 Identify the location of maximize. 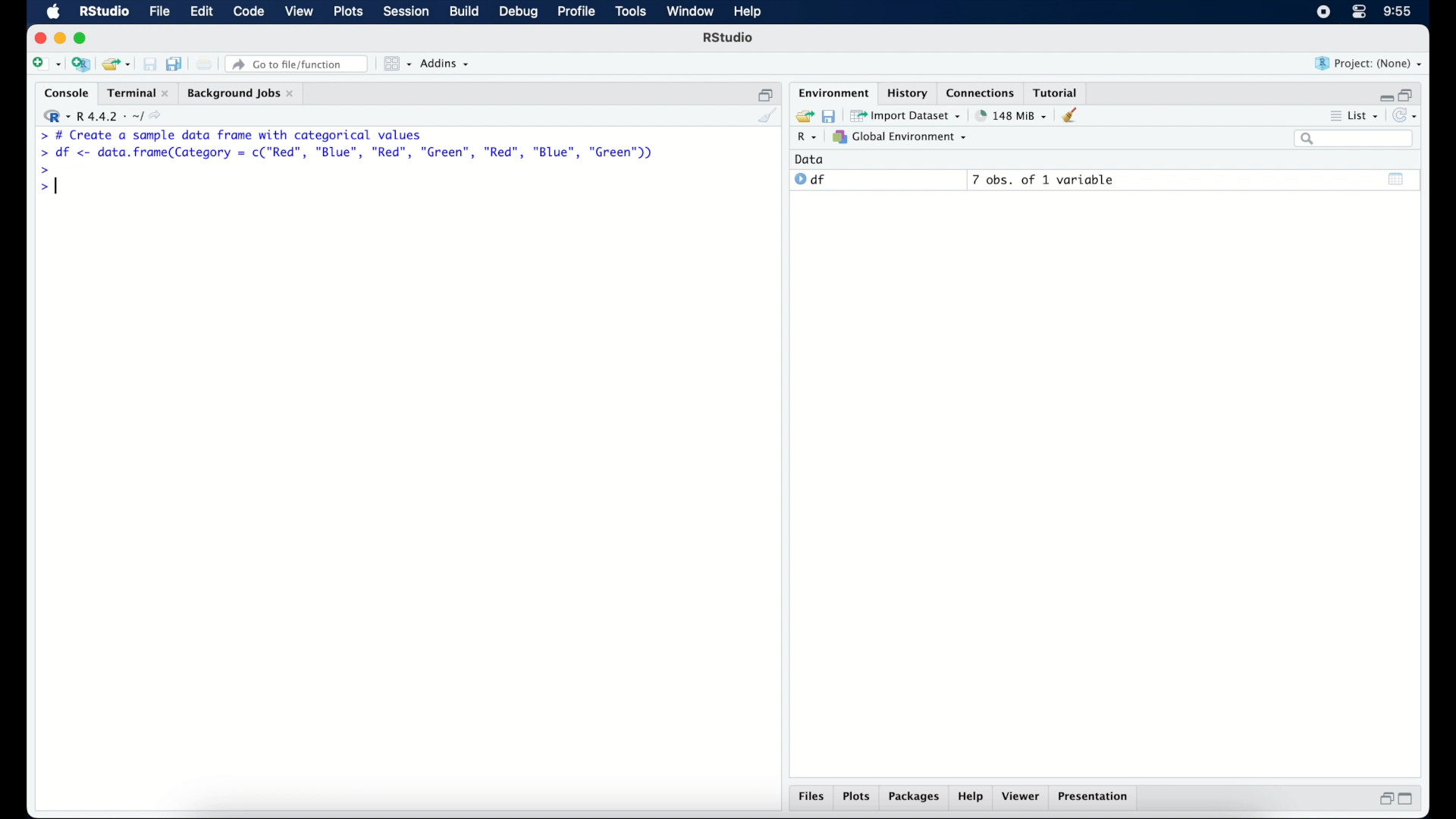
(83, 39).